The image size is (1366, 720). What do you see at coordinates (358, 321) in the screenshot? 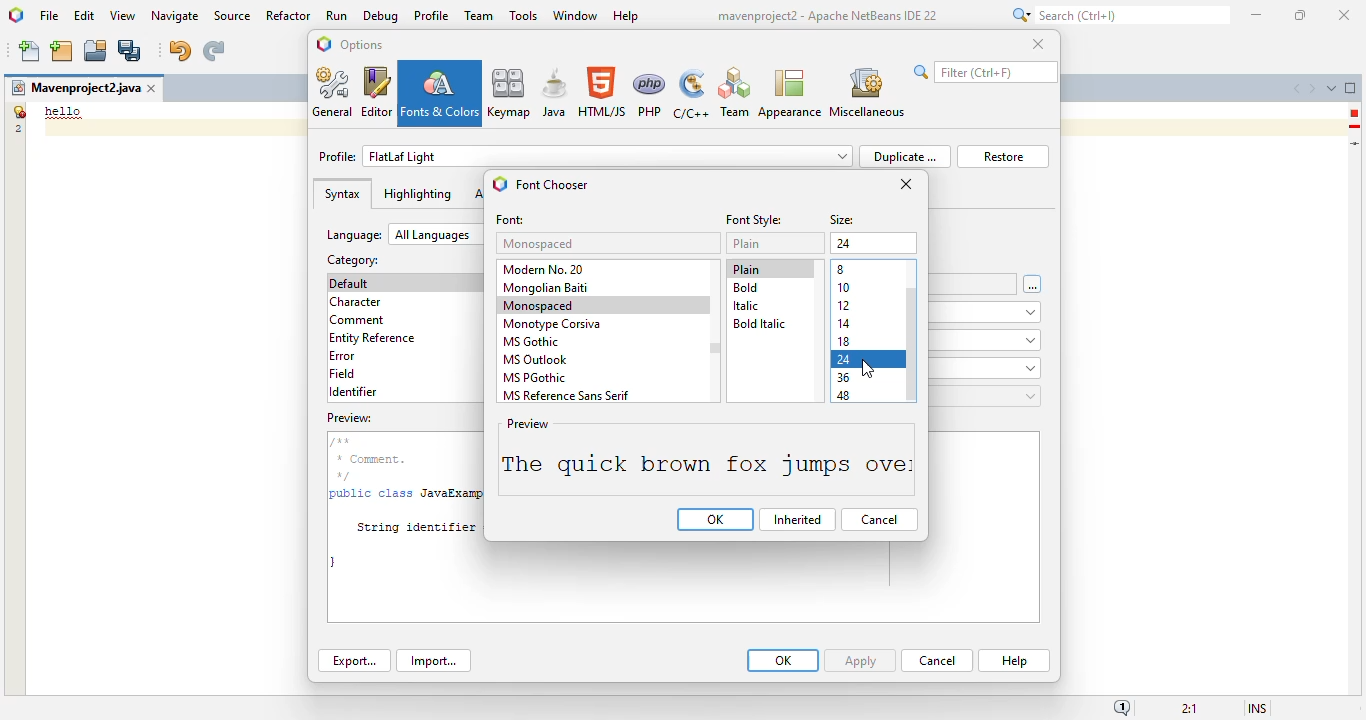
I see `comment` at bounding box center [358, 321].